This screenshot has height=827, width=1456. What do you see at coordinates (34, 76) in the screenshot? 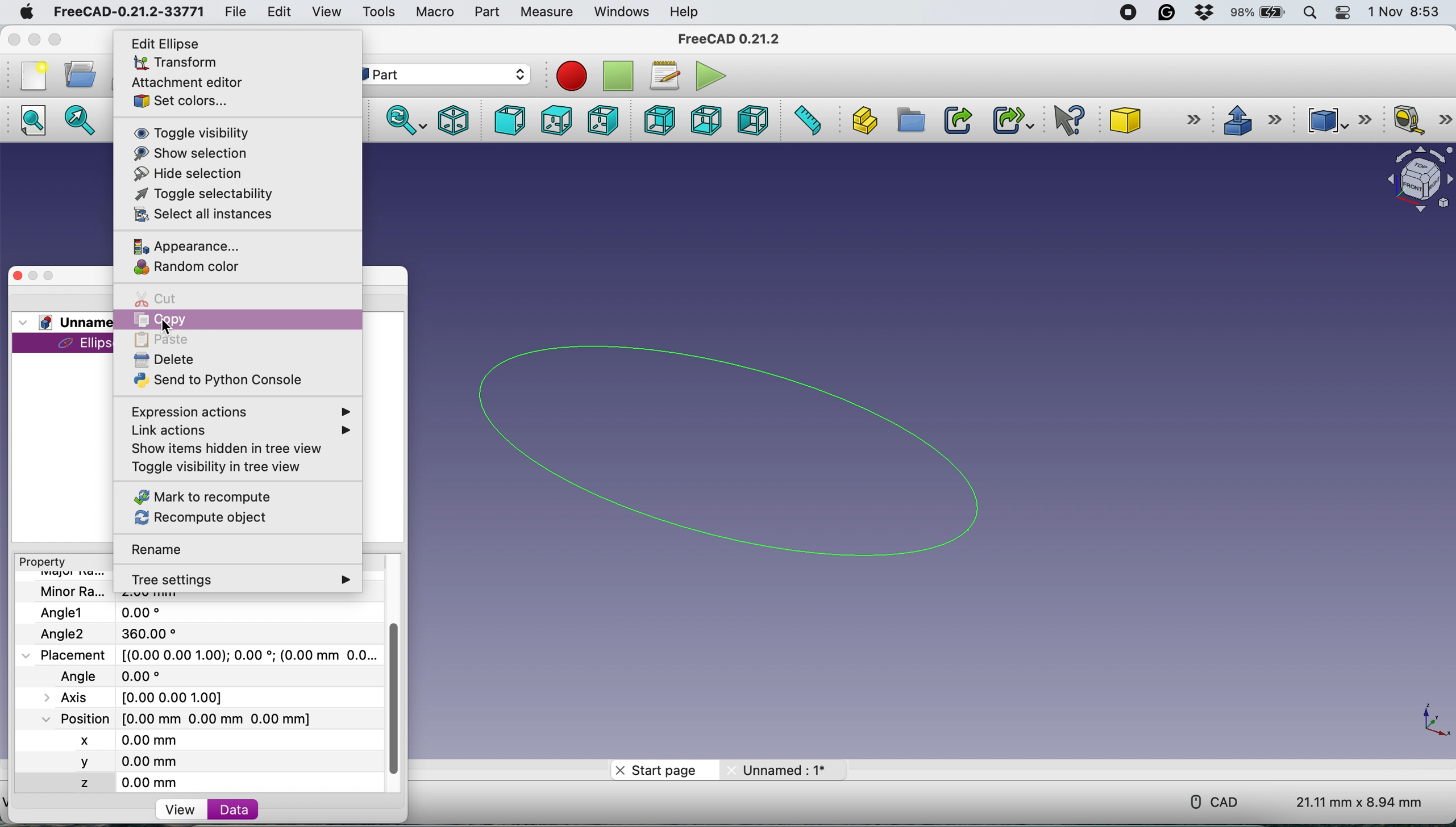
I see `new` at bounding box center [34, 76].